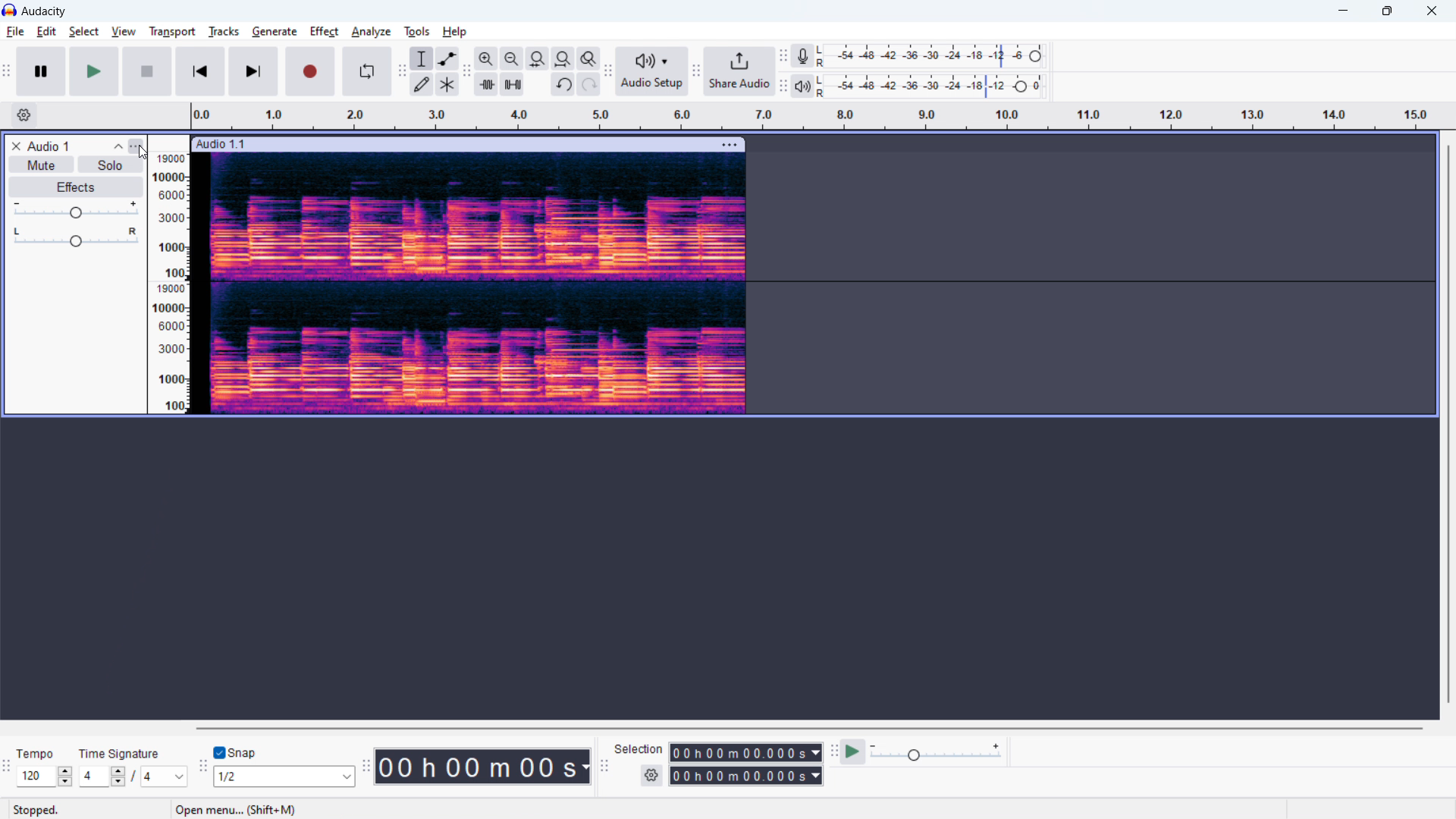  Describe the element at coordinates (45, 11) in the screenshot. I see `title` at that location.